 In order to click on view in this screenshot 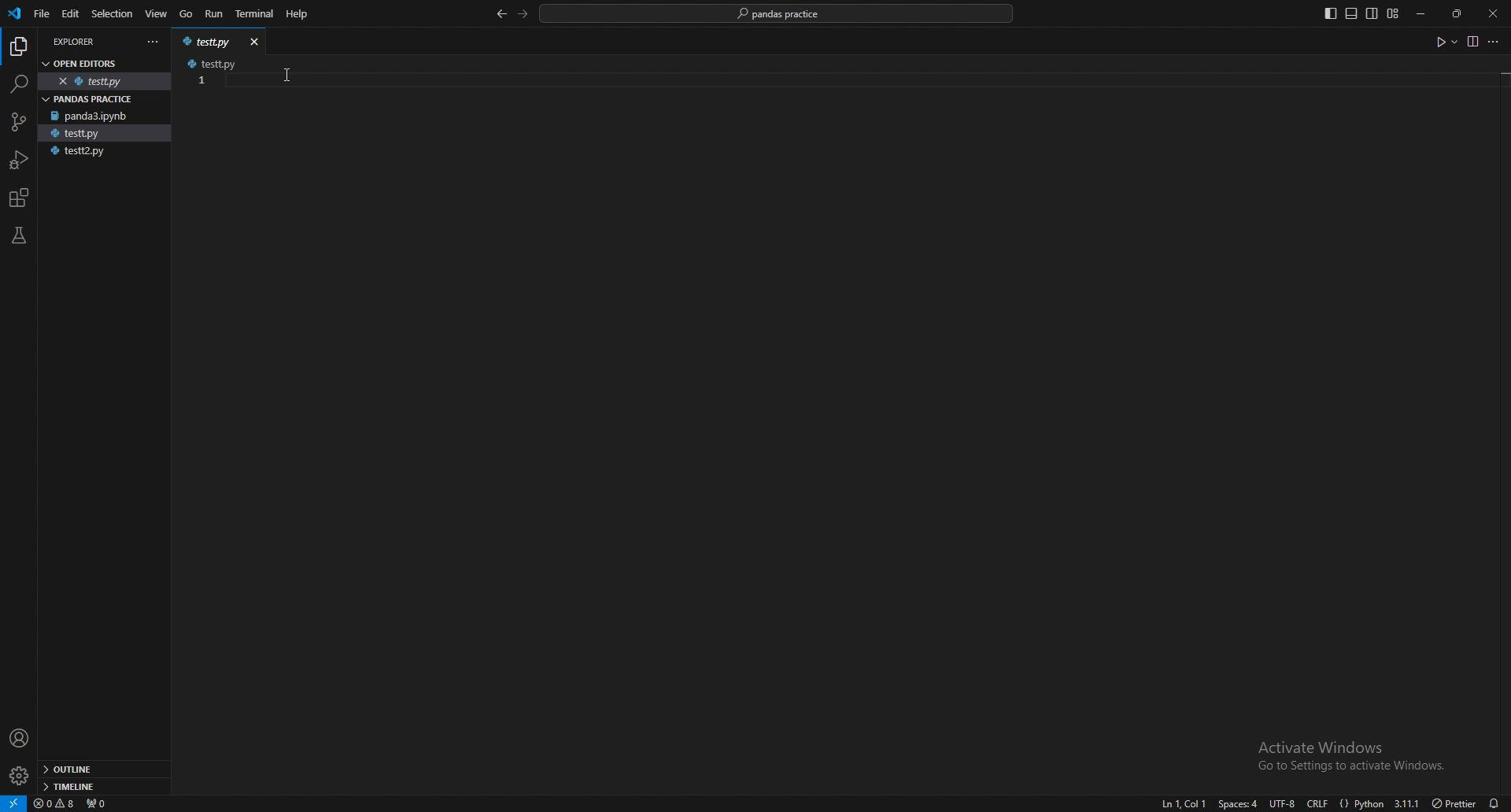, I will do `click(1472, 41)`.